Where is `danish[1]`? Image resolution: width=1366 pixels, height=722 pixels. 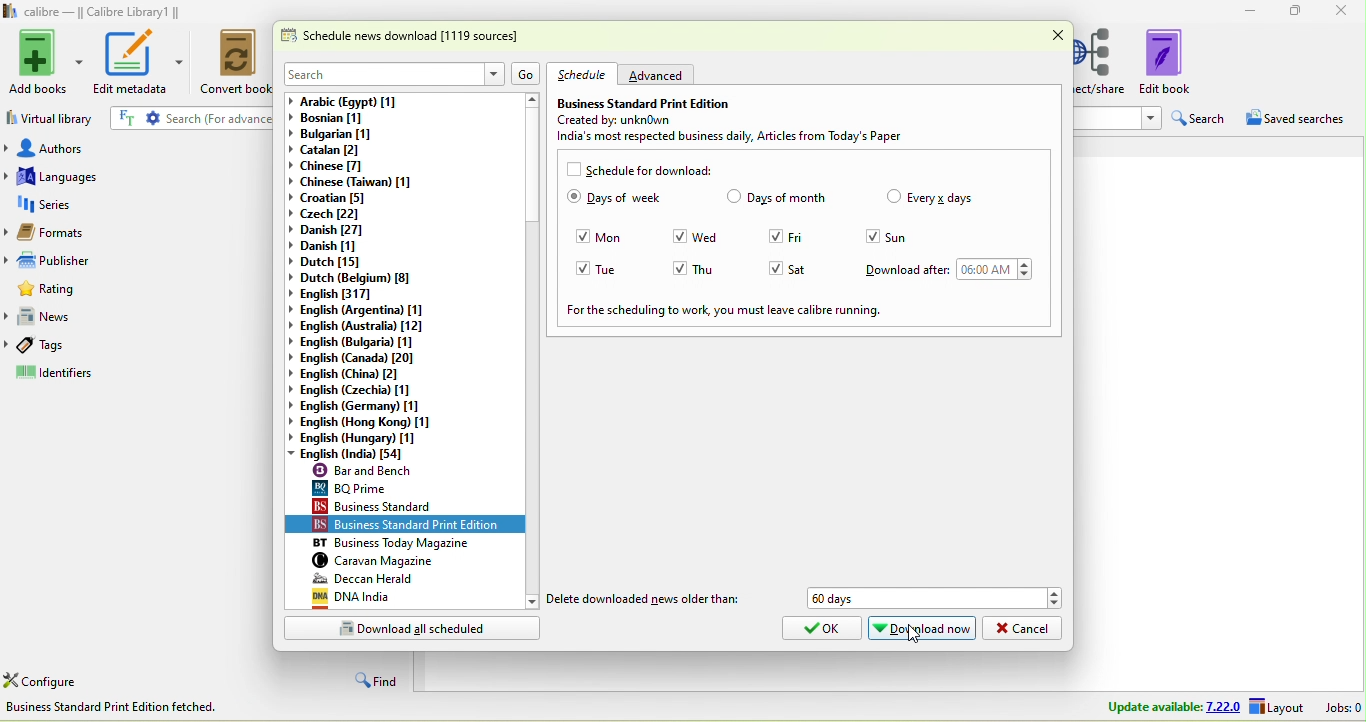
danish[1] is located at coordinates (340, 247).